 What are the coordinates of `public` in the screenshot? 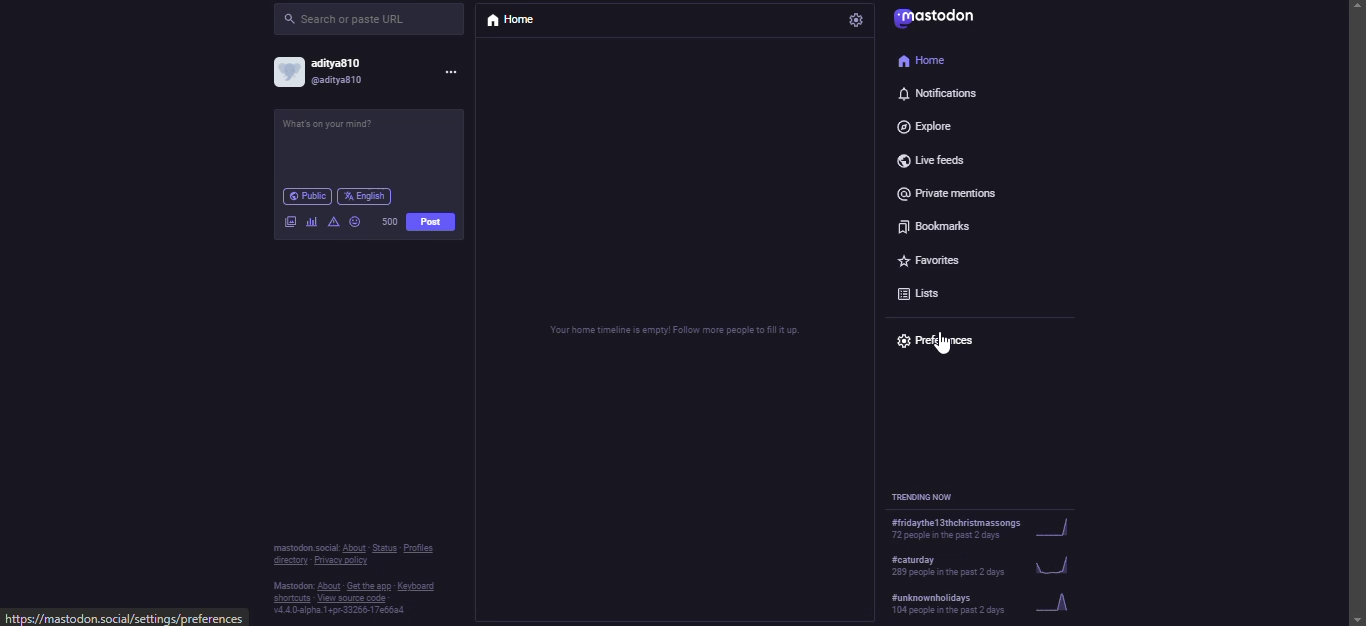 It's located at (305, 195).